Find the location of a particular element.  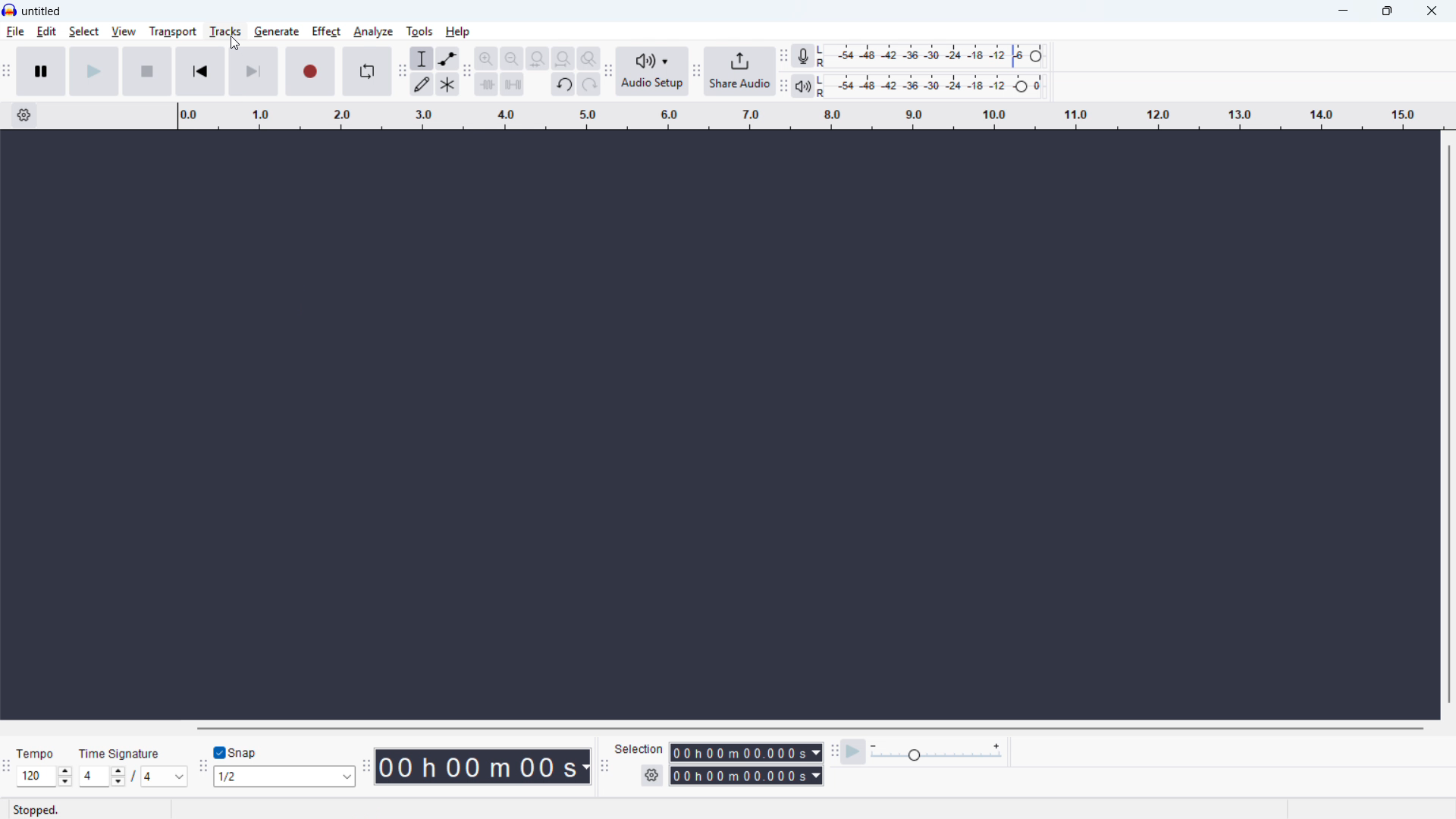

Silence audio selection  is located at coordinates (513, 85).